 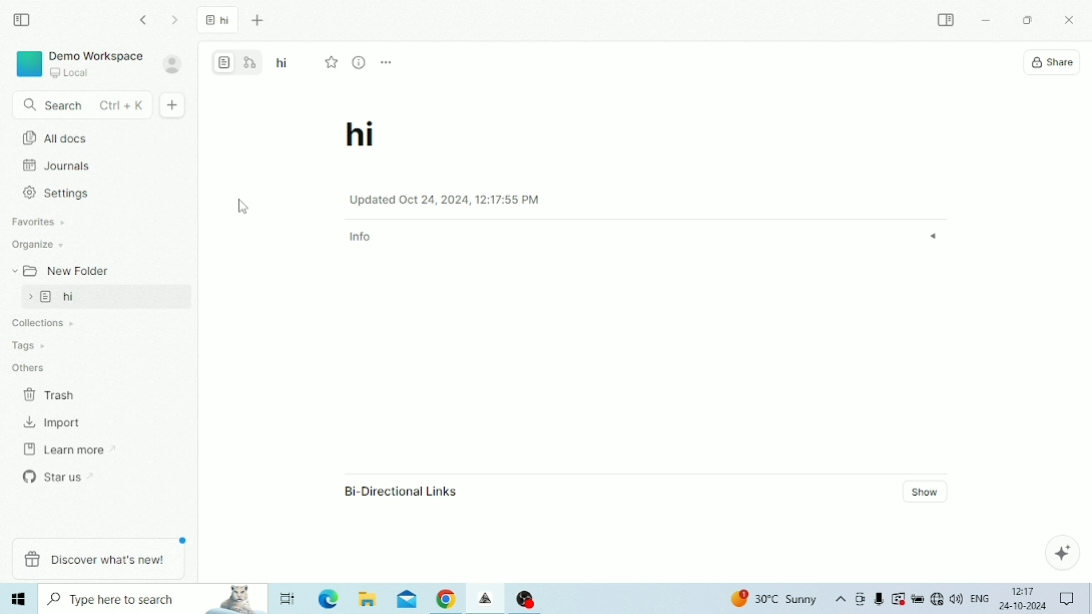 What do you see at coordinates (61, 475) in the screenshot?
I see `Star us` at bounding box center [61, 475].